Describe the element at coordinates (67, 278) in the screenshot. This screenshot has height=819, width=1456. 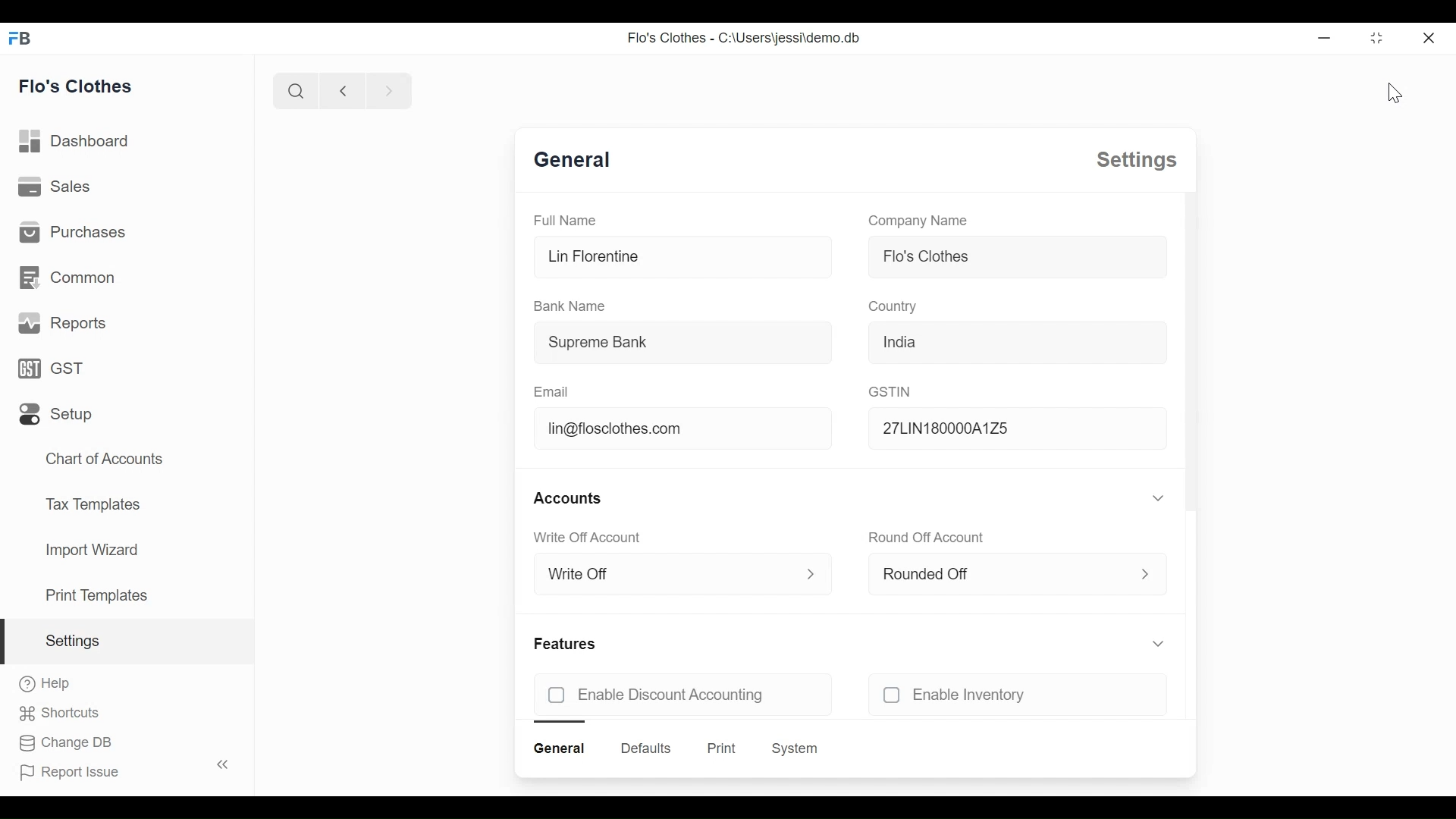
I see `common` at that location.